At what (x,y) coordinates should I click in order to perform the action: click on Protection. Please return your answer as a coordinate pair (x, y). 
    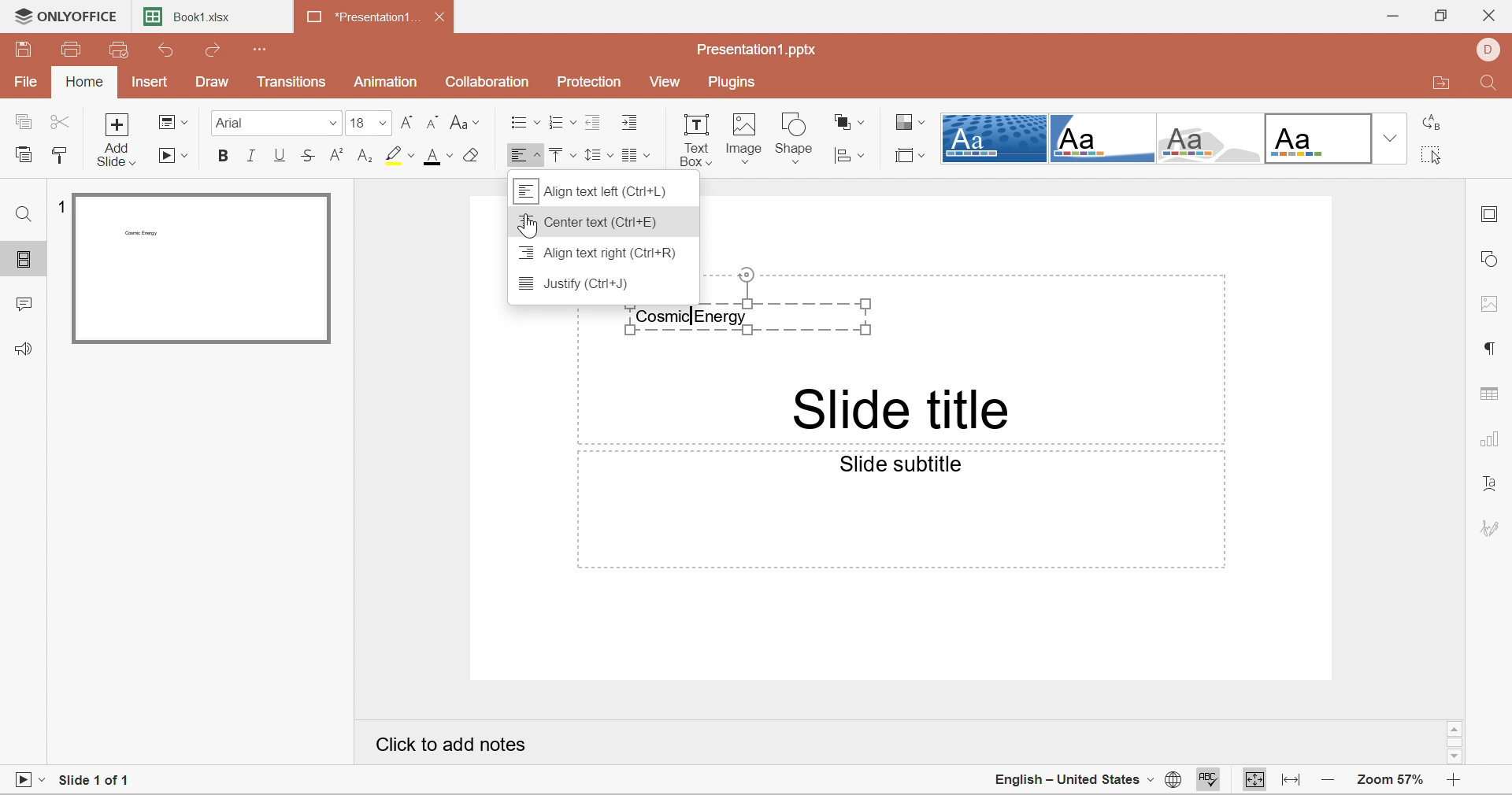
    Looking at the image, I should click on (590, 80).